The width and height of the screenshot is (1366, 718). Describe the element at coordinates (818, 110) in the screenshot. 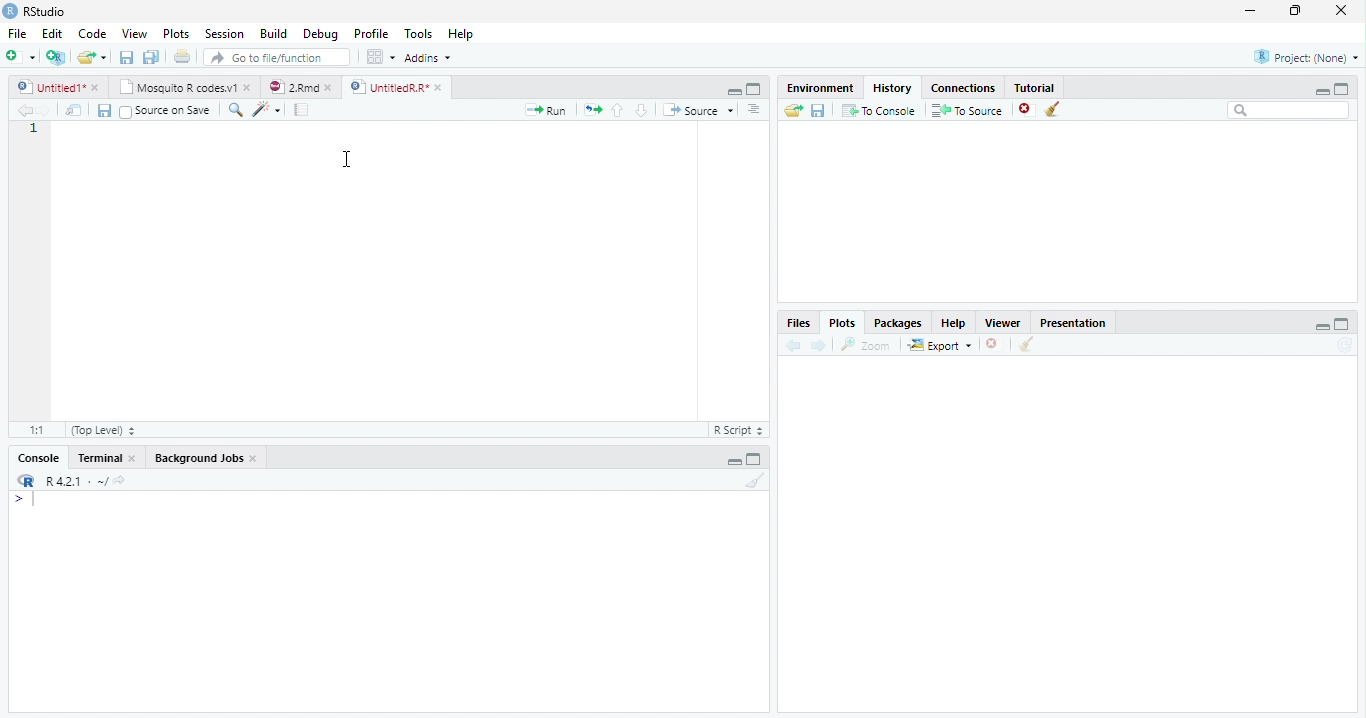

I see `save` at that location.